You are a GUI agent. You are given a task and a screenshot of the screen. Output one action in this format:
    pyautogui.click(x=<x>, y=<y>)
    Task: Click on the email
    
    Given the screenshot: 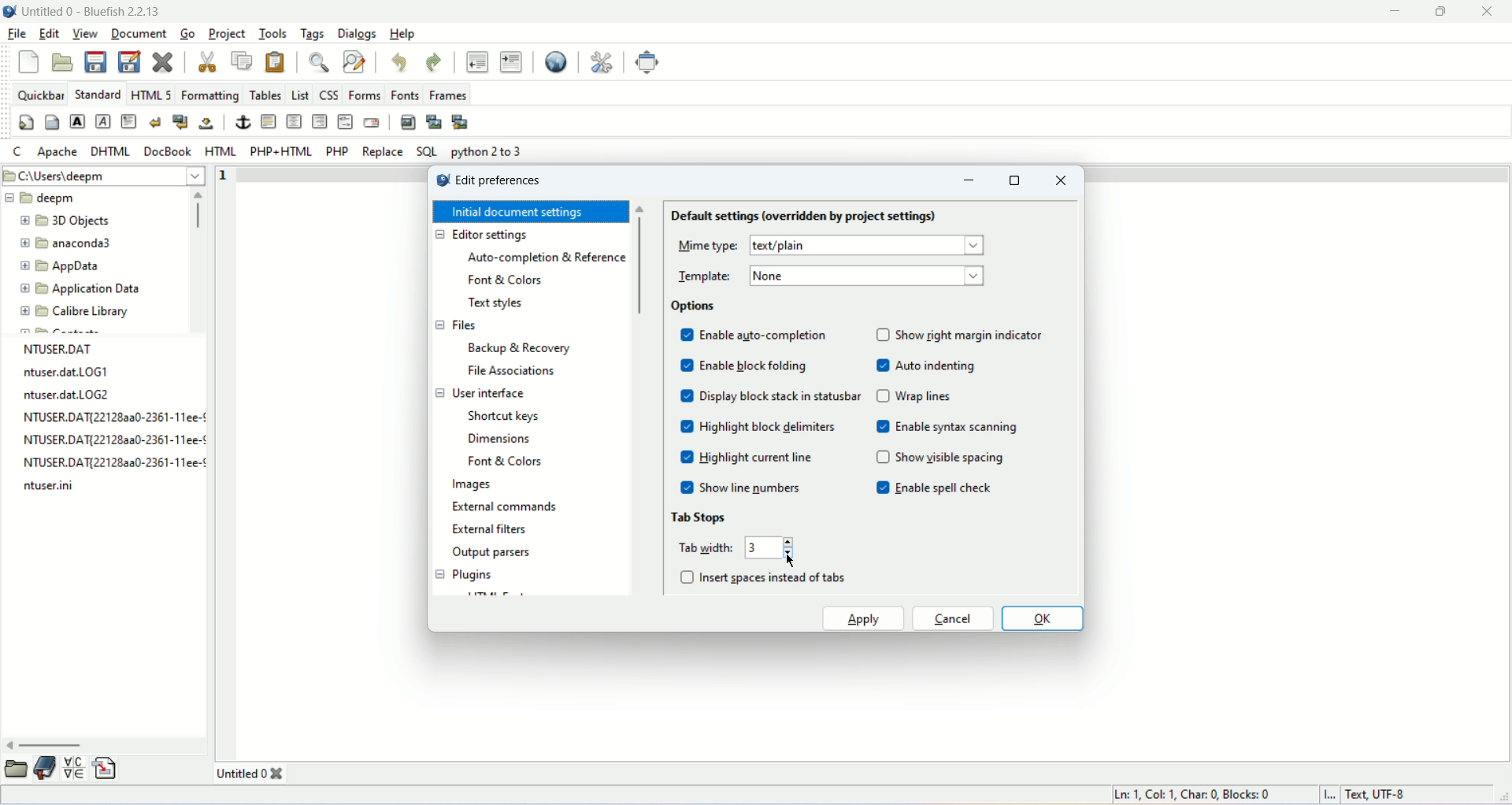 What is the action you would take?
    pyautogui.click(x=372, y=123)
    